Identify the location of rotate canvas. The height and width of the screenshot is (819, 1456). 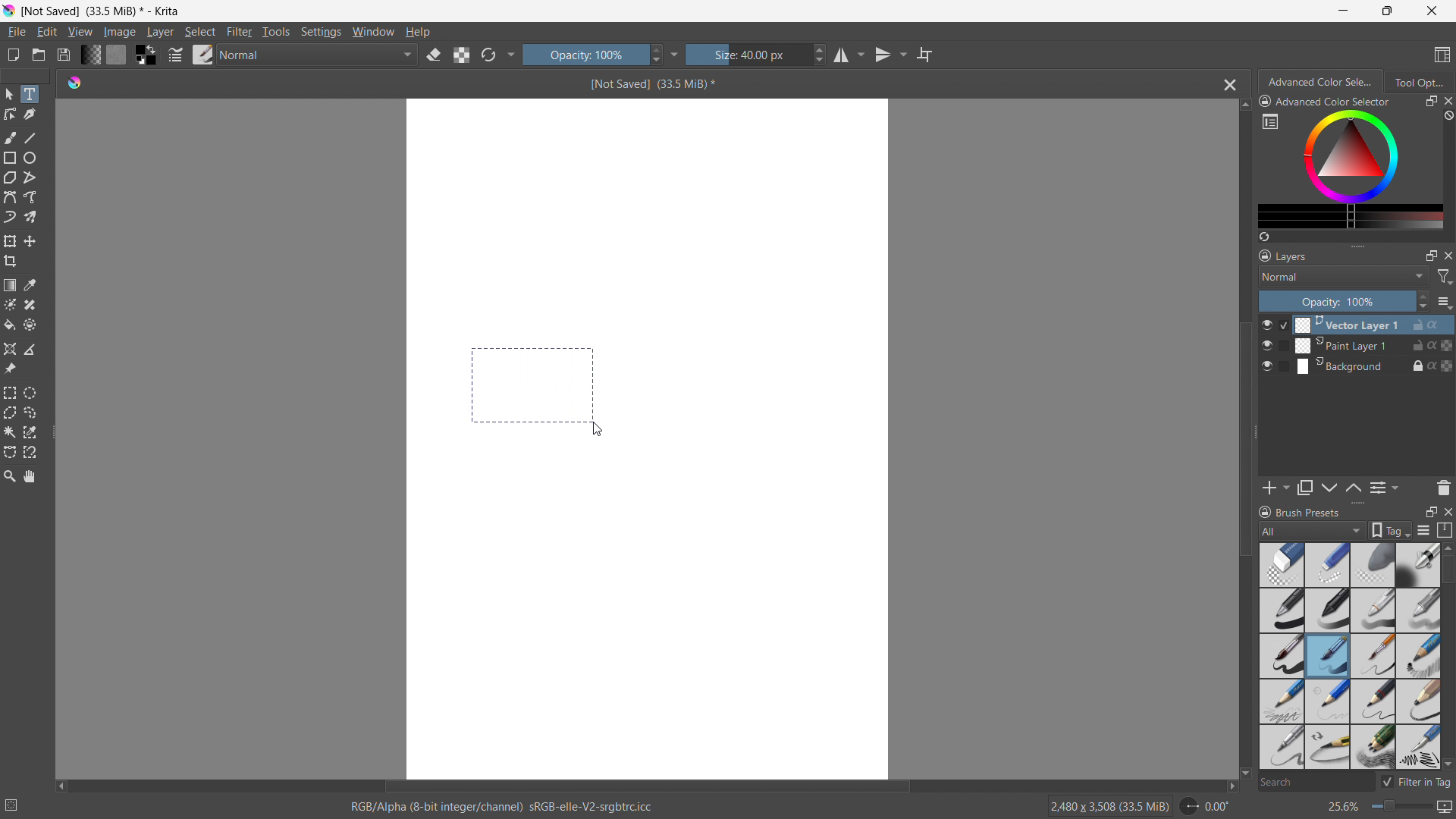
(1206, 806).